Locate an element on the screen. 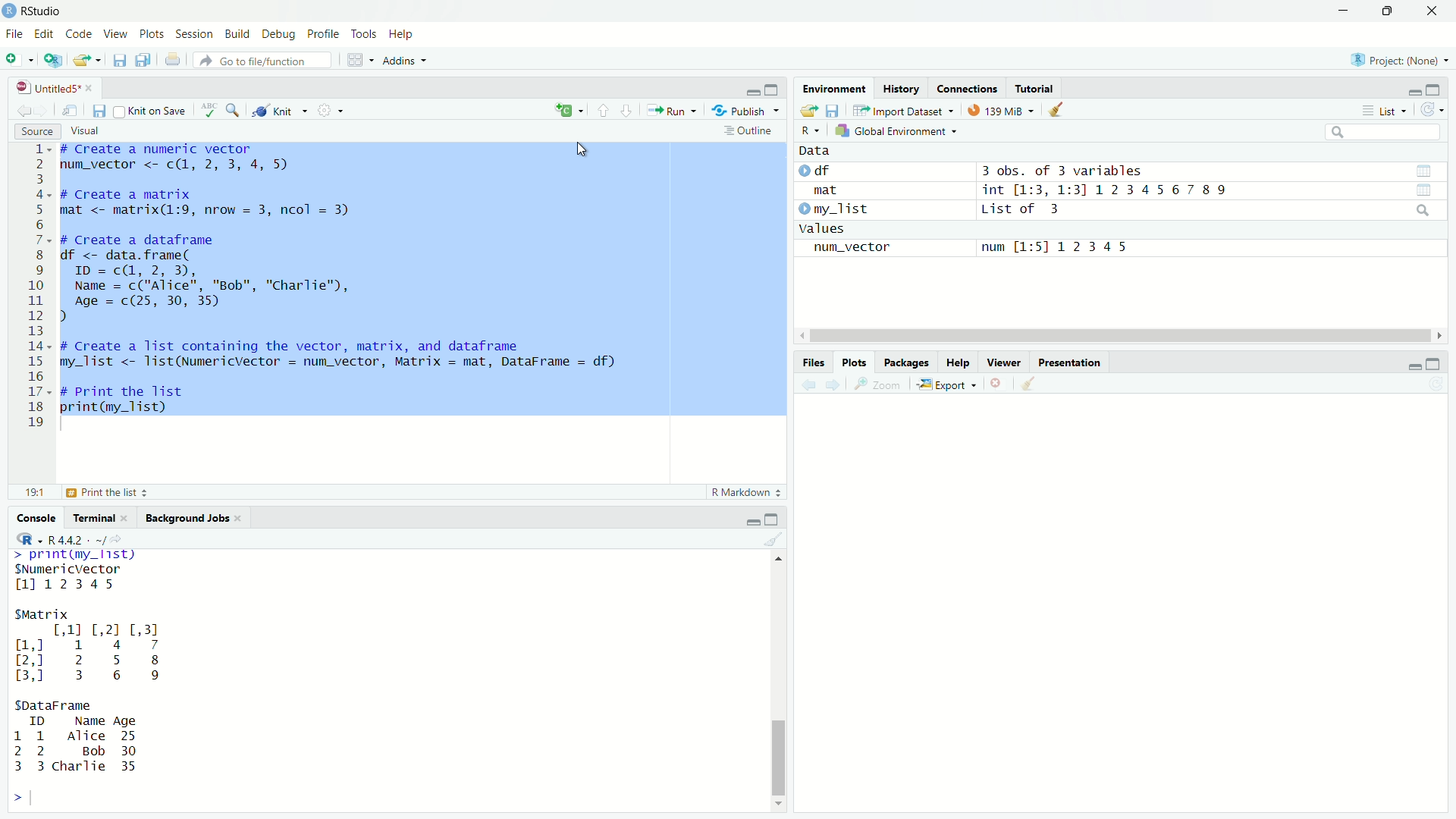  Connections is located at coordinates (971, 88).